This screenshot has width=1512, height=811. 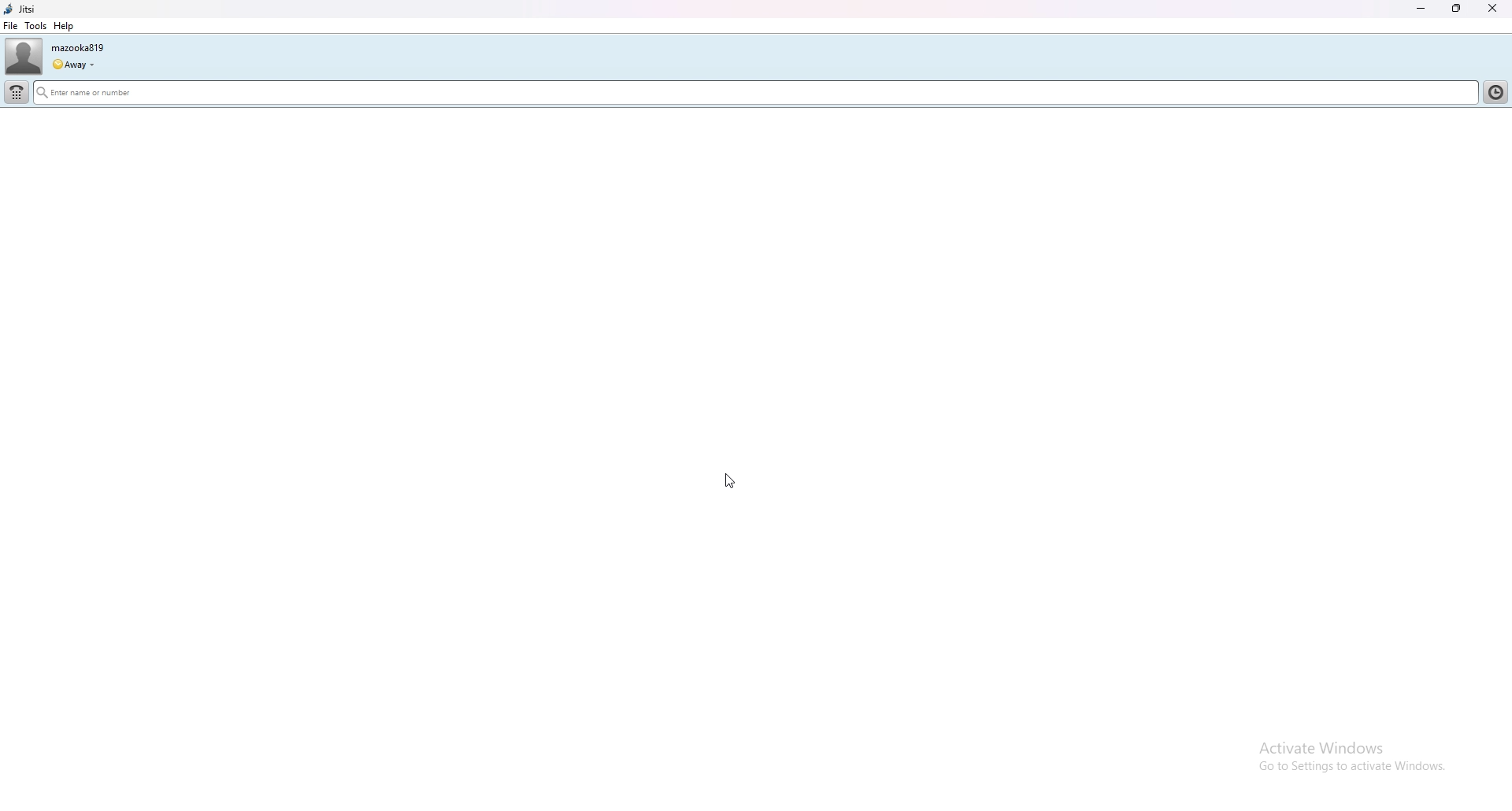 What do you see at coordinates (20, 9) in the screenshot?
I see `jitsi` at bounding box center [20, 9].